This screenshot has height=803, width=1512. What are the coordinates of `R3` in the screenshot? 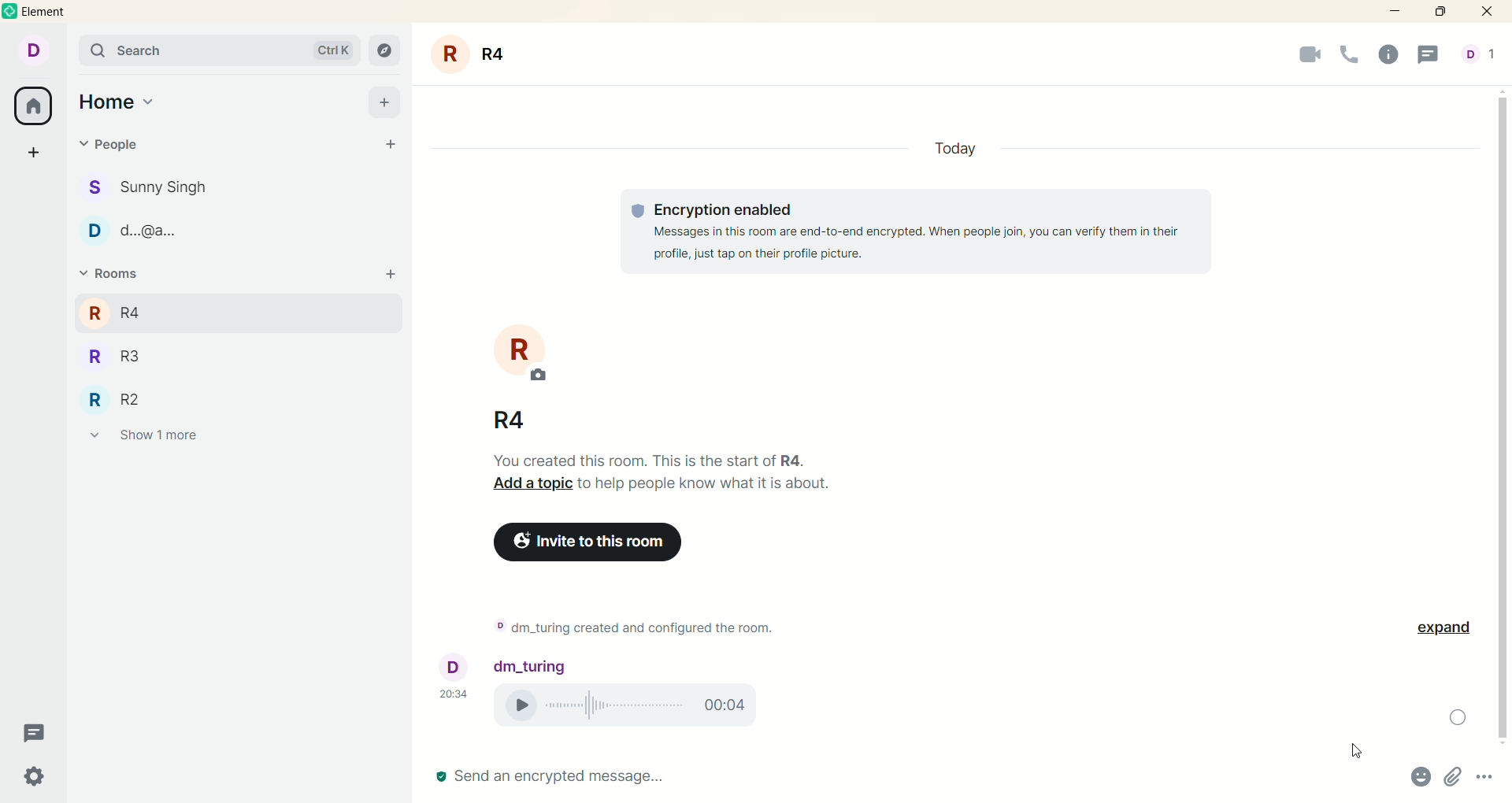 It's located at (137, 358).